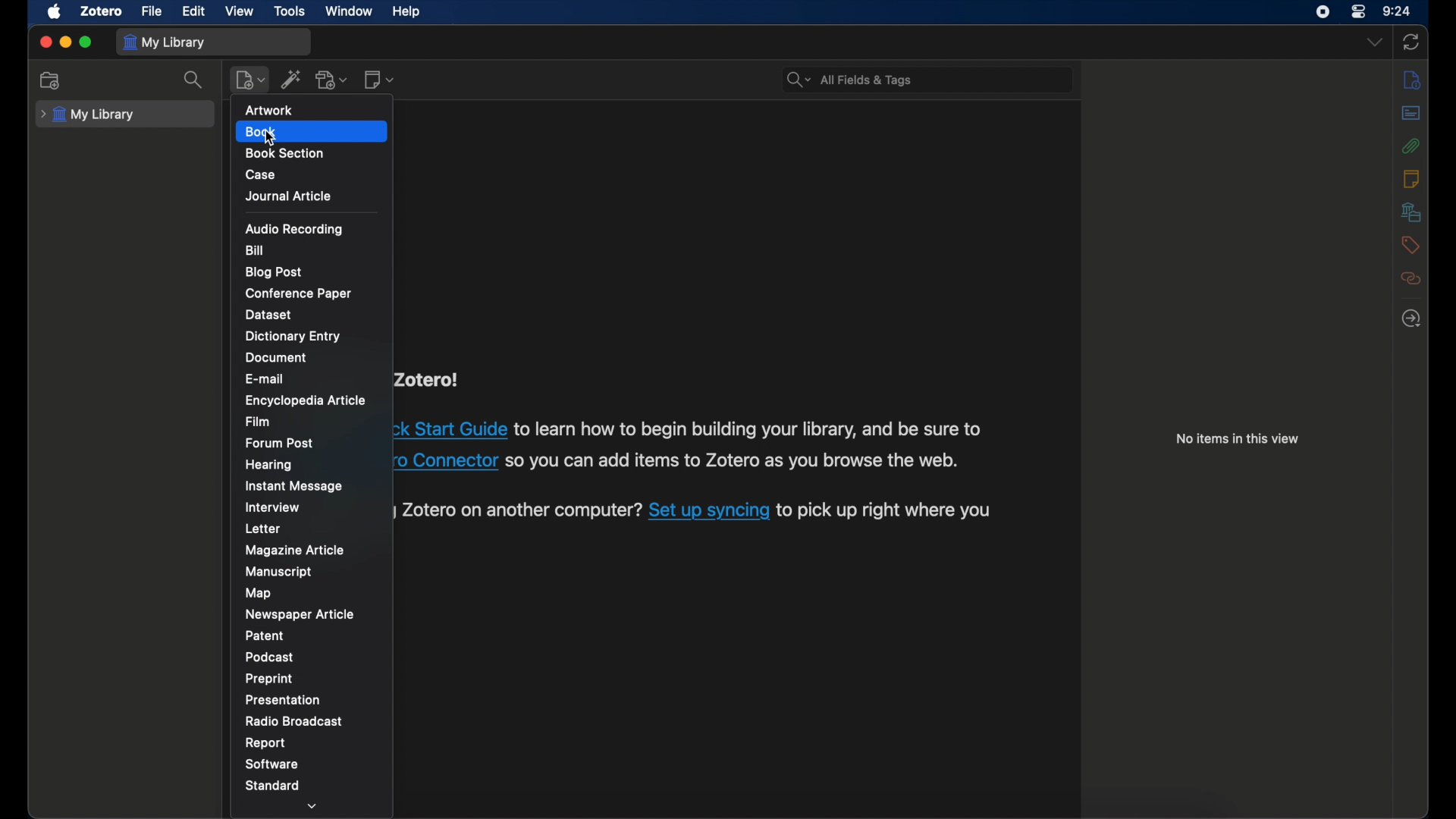 The width and height of the screenshot is (1456, 819). I want to click on time, so click(1398, 11).